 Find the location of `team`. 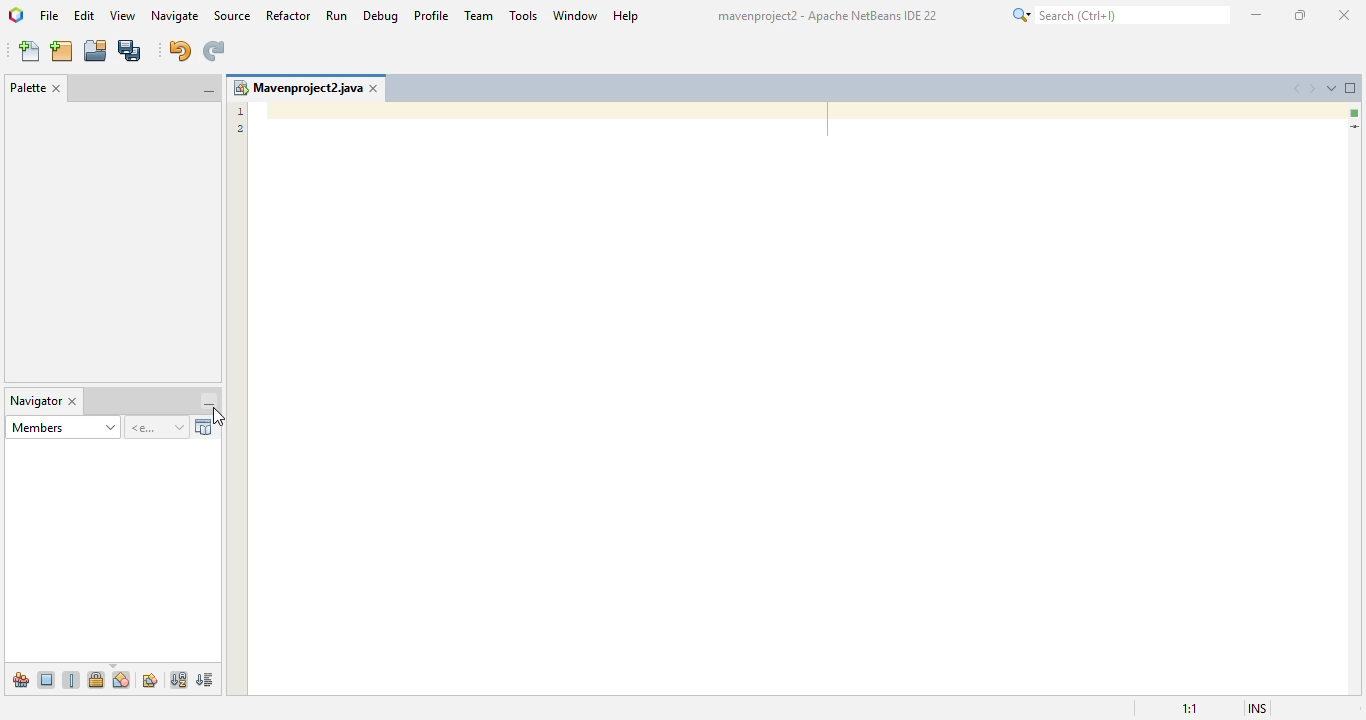

team is located at coordinates (480, 15).